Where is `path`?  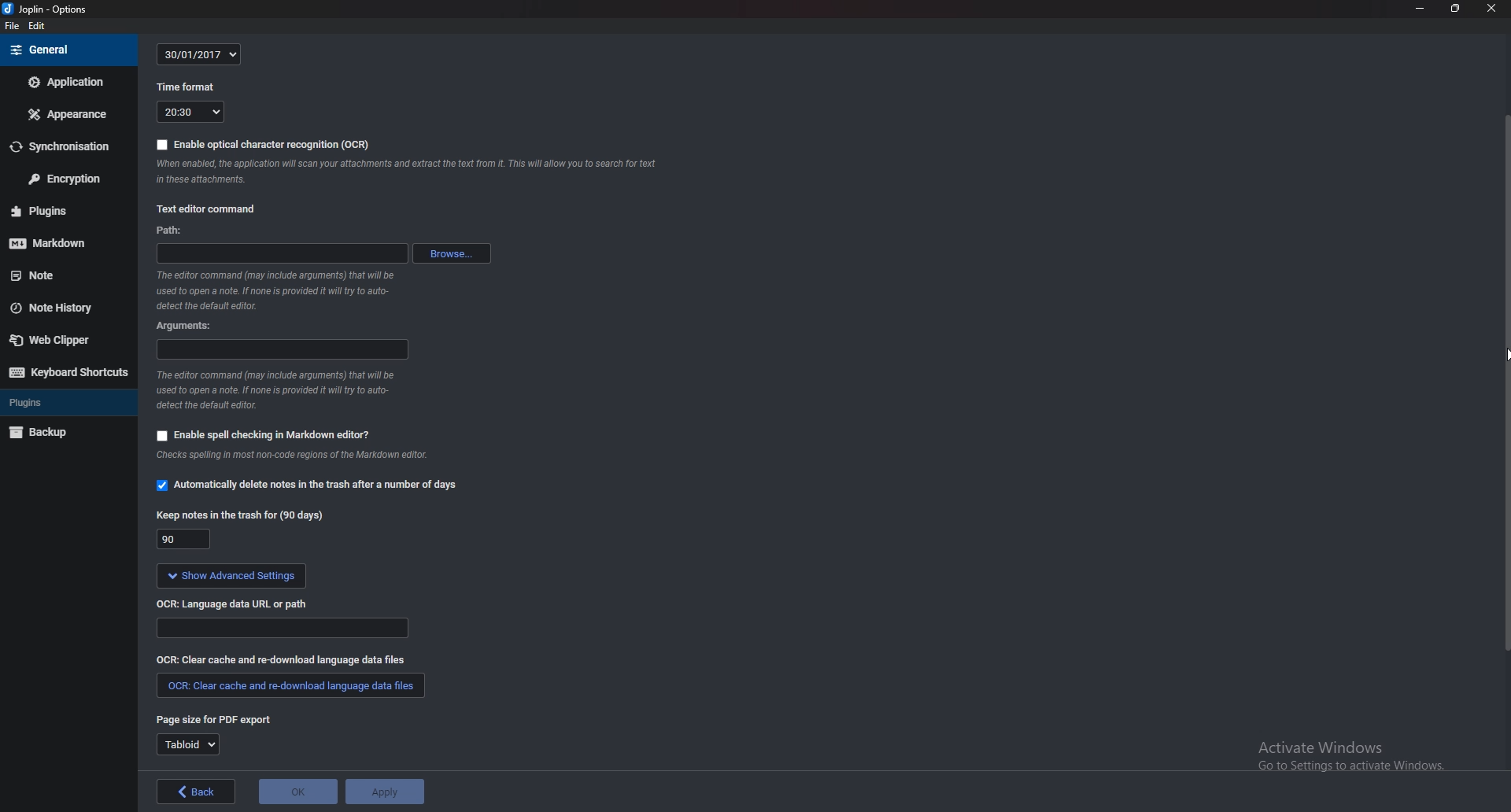 path is located at coordinates (289, 630).